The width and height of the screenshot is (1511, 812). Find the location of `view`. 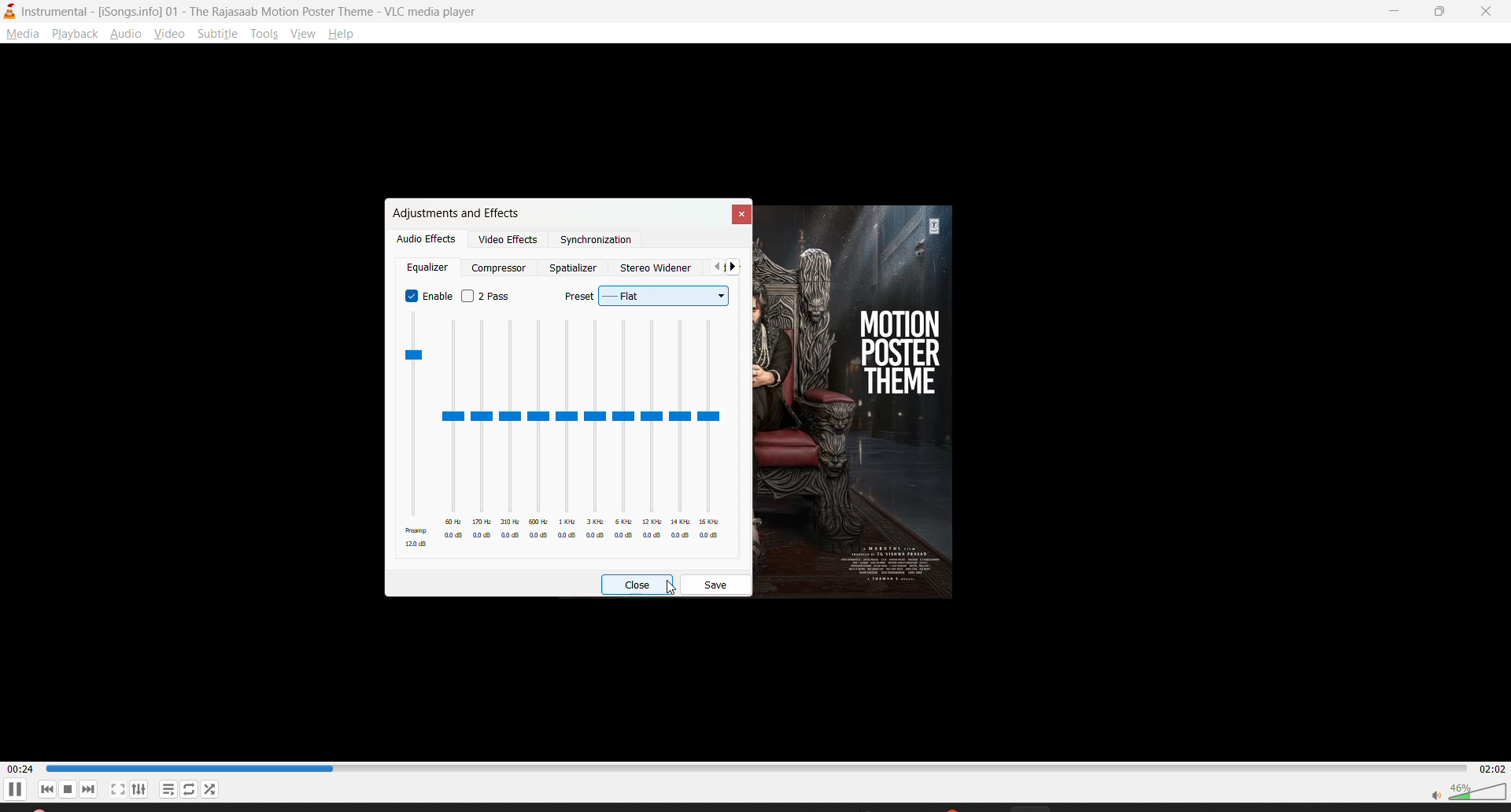

view is located at coordinates (168, 37).